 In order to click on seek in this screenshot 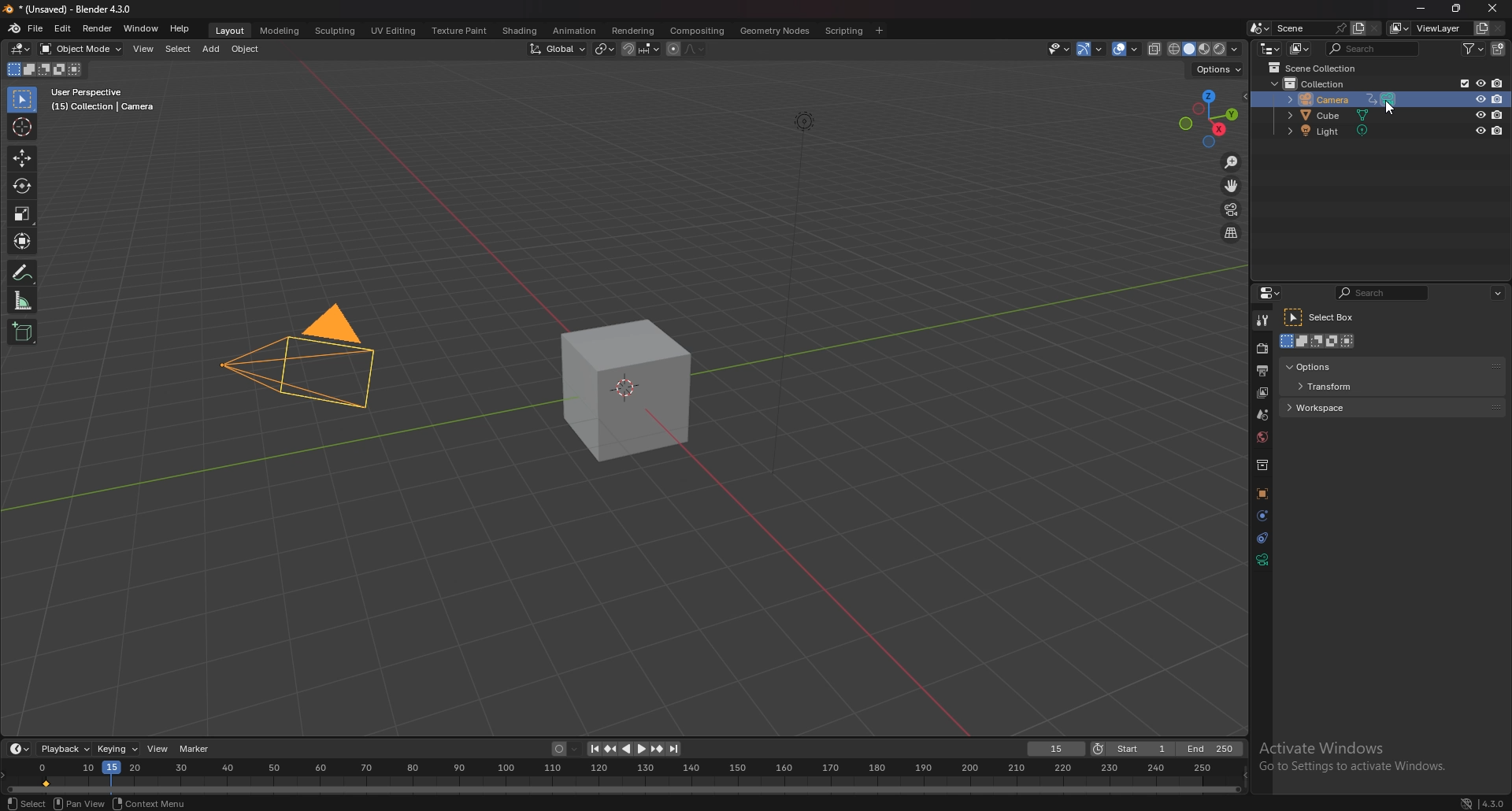, I will do `click(624, 778)`.